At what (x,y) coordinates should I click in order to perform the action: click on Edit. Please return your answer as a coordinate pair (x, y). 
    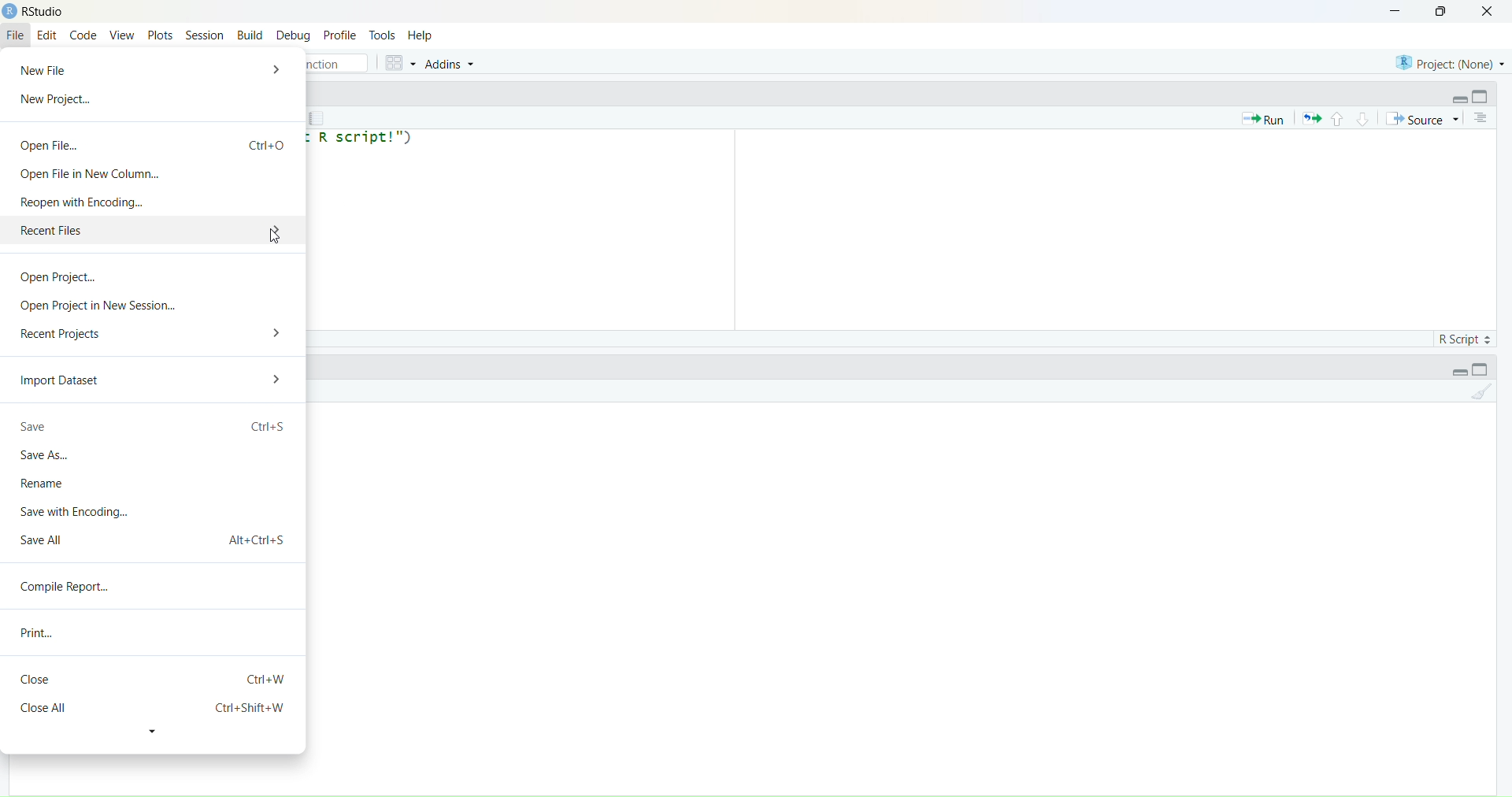
    Looking at the image, I should click on (47, 36).